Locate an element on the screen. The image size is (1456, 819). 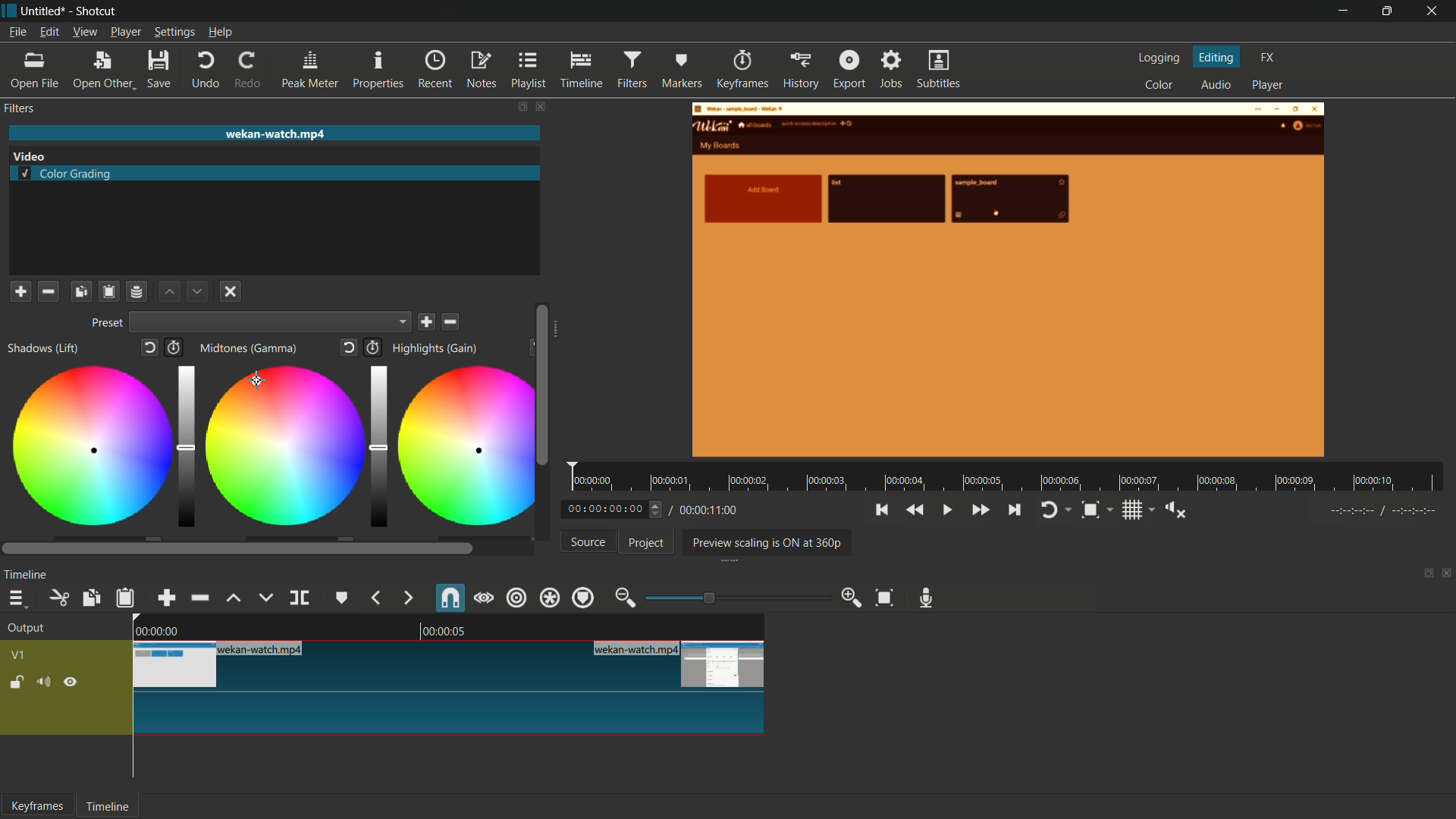
add keyframes to this parameter is located at coordinates (174, 347).